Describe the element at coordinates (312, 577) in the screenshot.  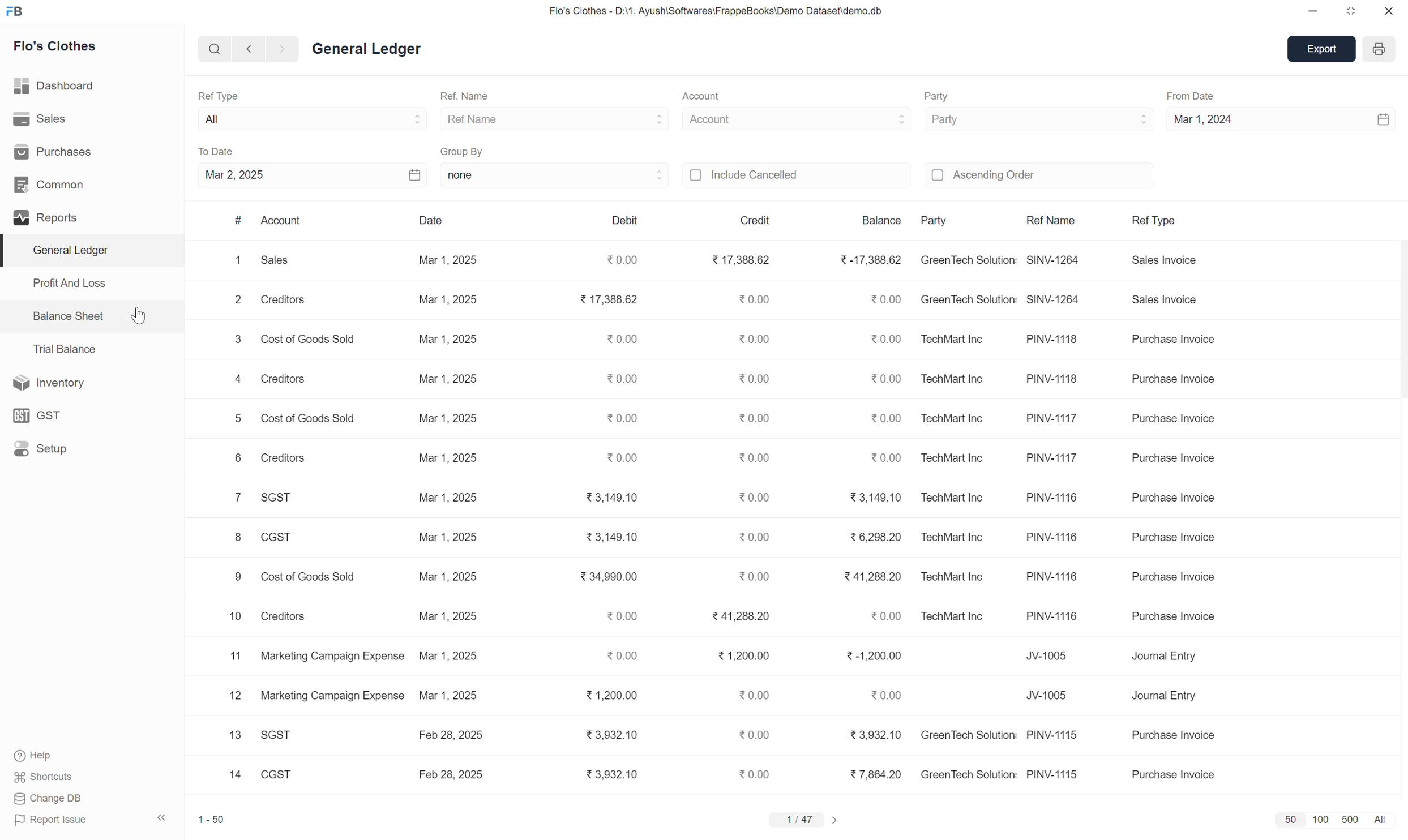
I see `cost of goods sold` at that location.